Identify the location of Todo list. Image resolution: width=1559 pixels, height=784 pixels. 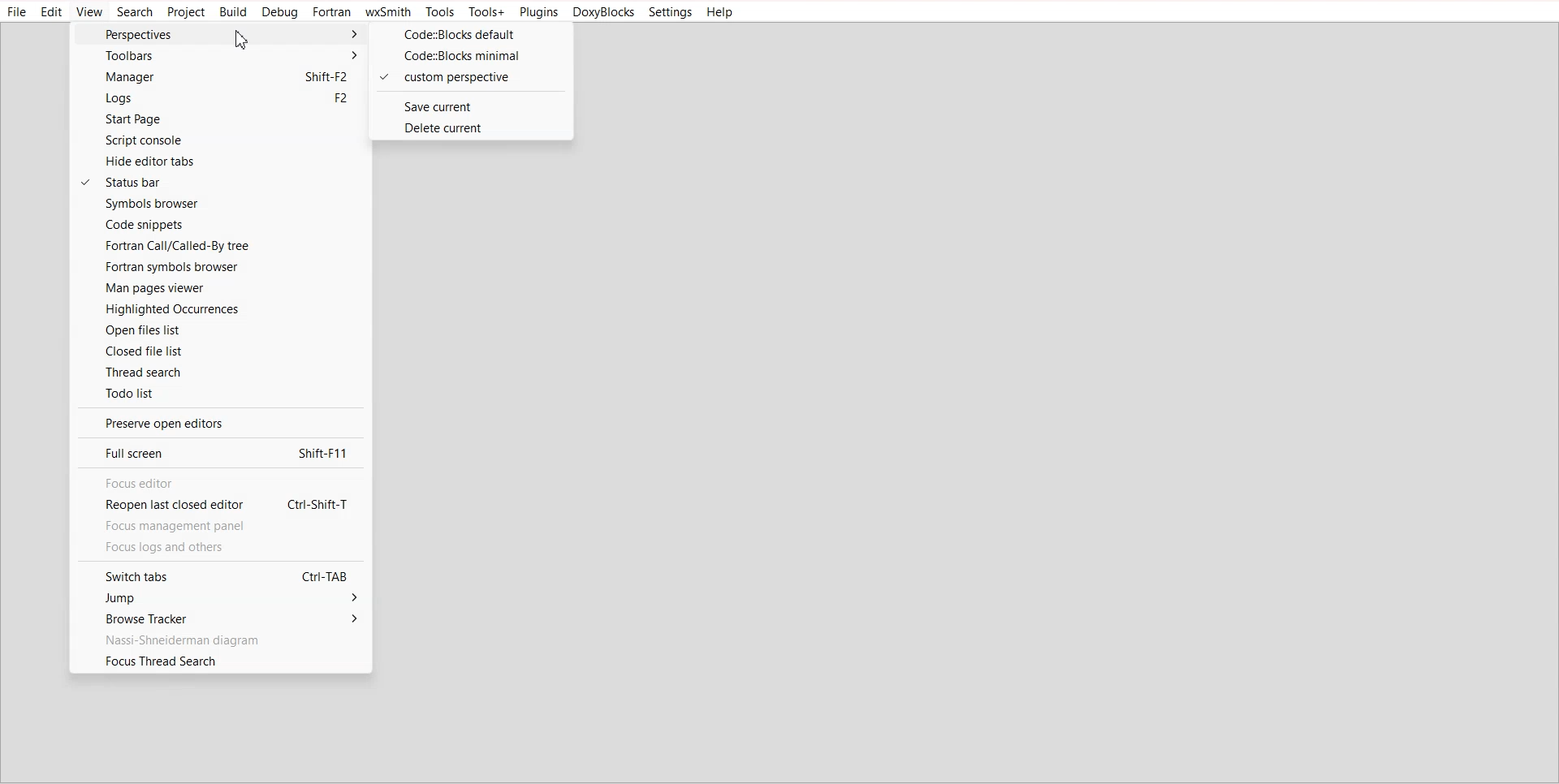
(222, 393).